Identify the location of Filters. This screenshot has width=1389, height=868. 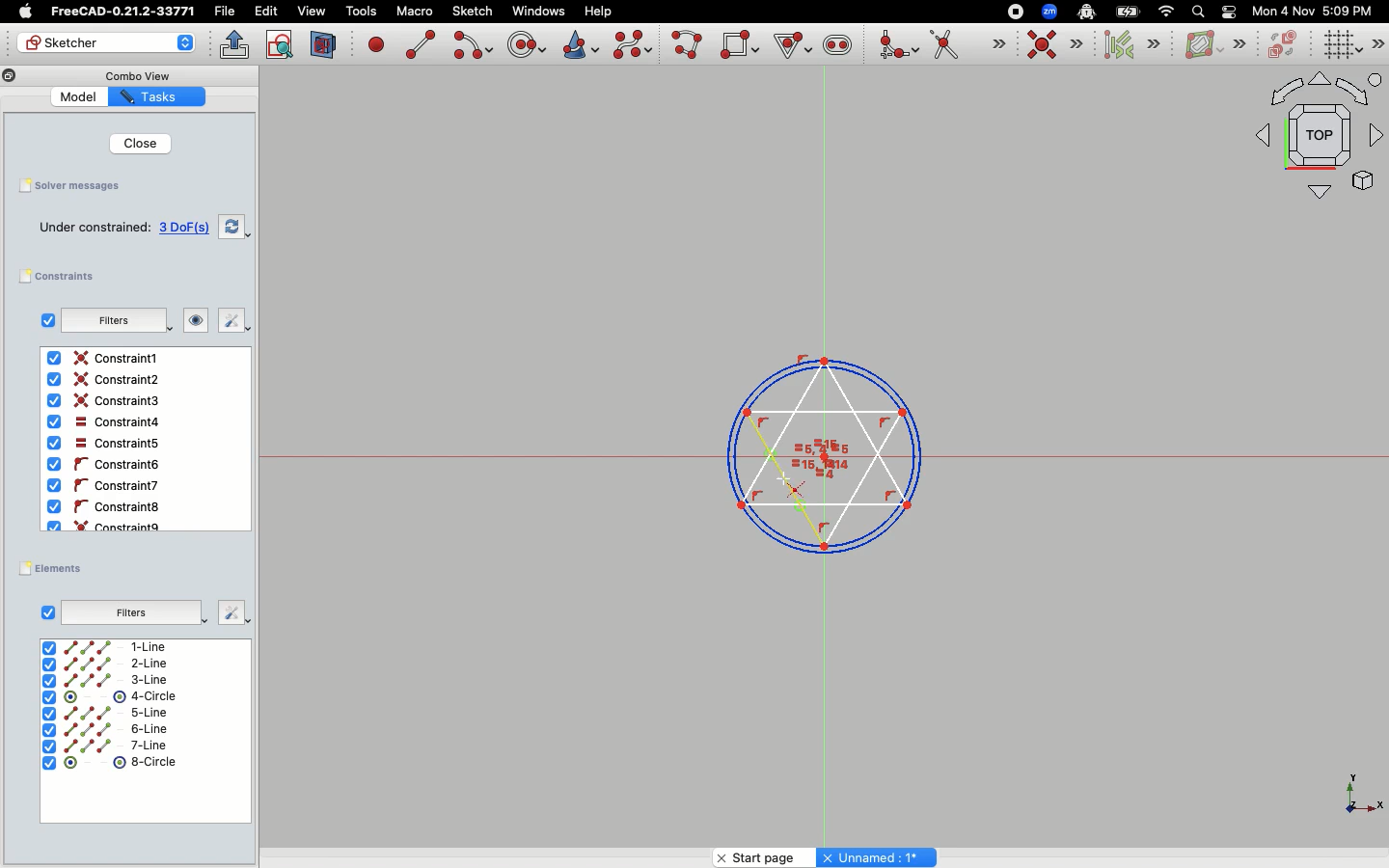
(133, 610).